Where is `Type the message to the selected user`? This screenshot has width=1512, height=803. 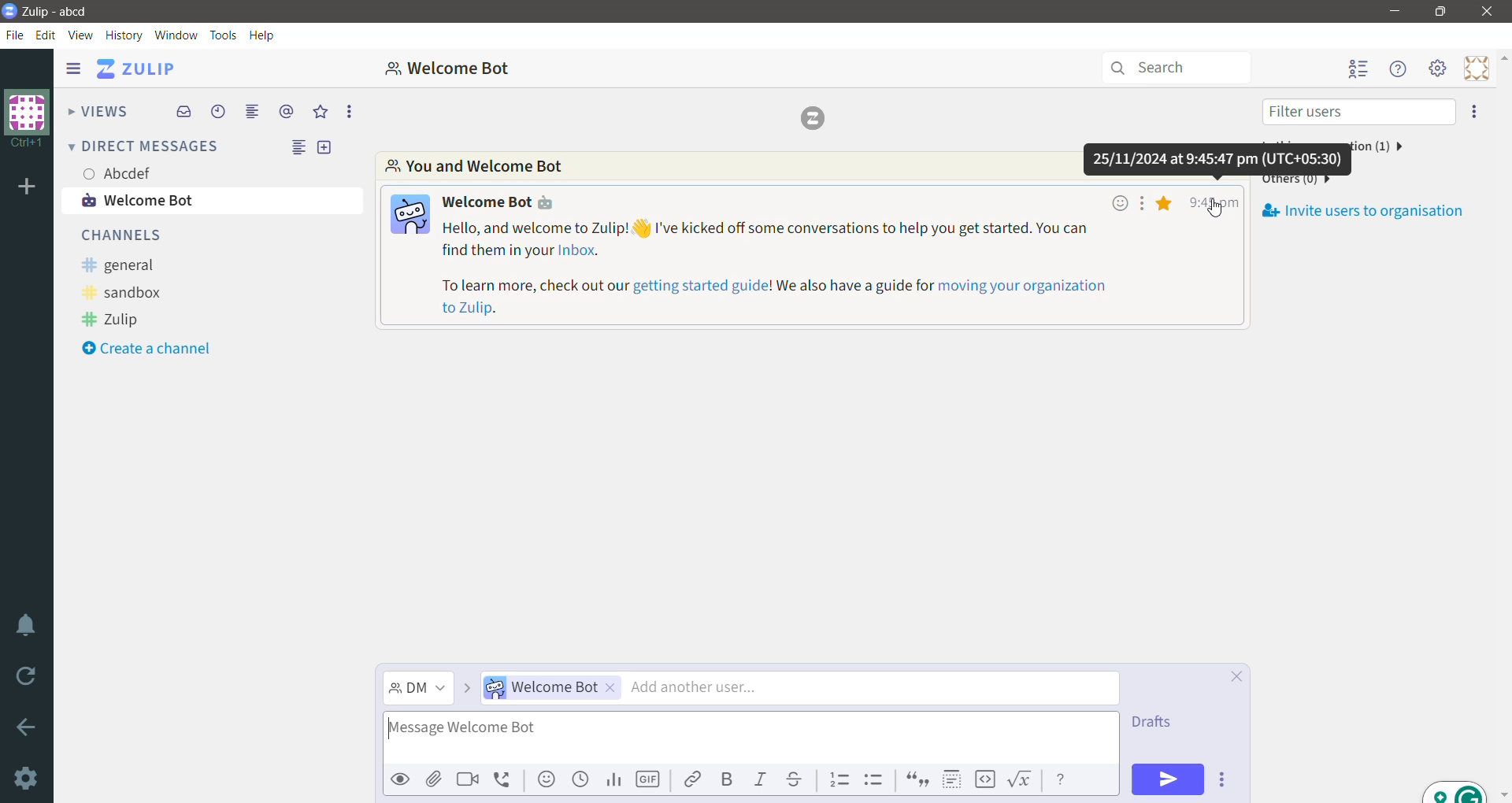
Type the message to the selected user is located at coordinates (750, 738).